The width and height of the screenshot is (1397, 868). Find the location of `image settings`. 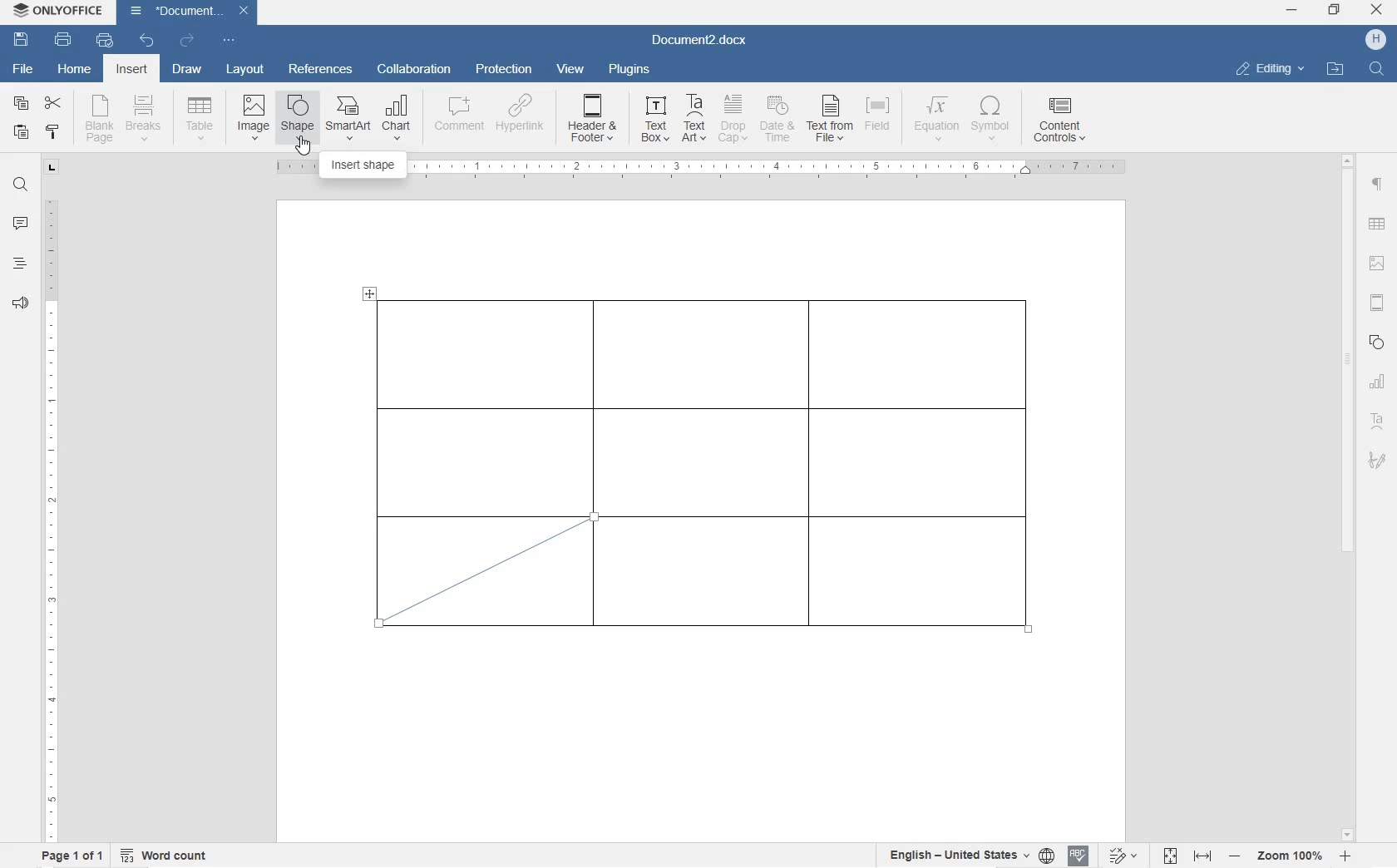

image settings is located at coordinates (1376, 264).